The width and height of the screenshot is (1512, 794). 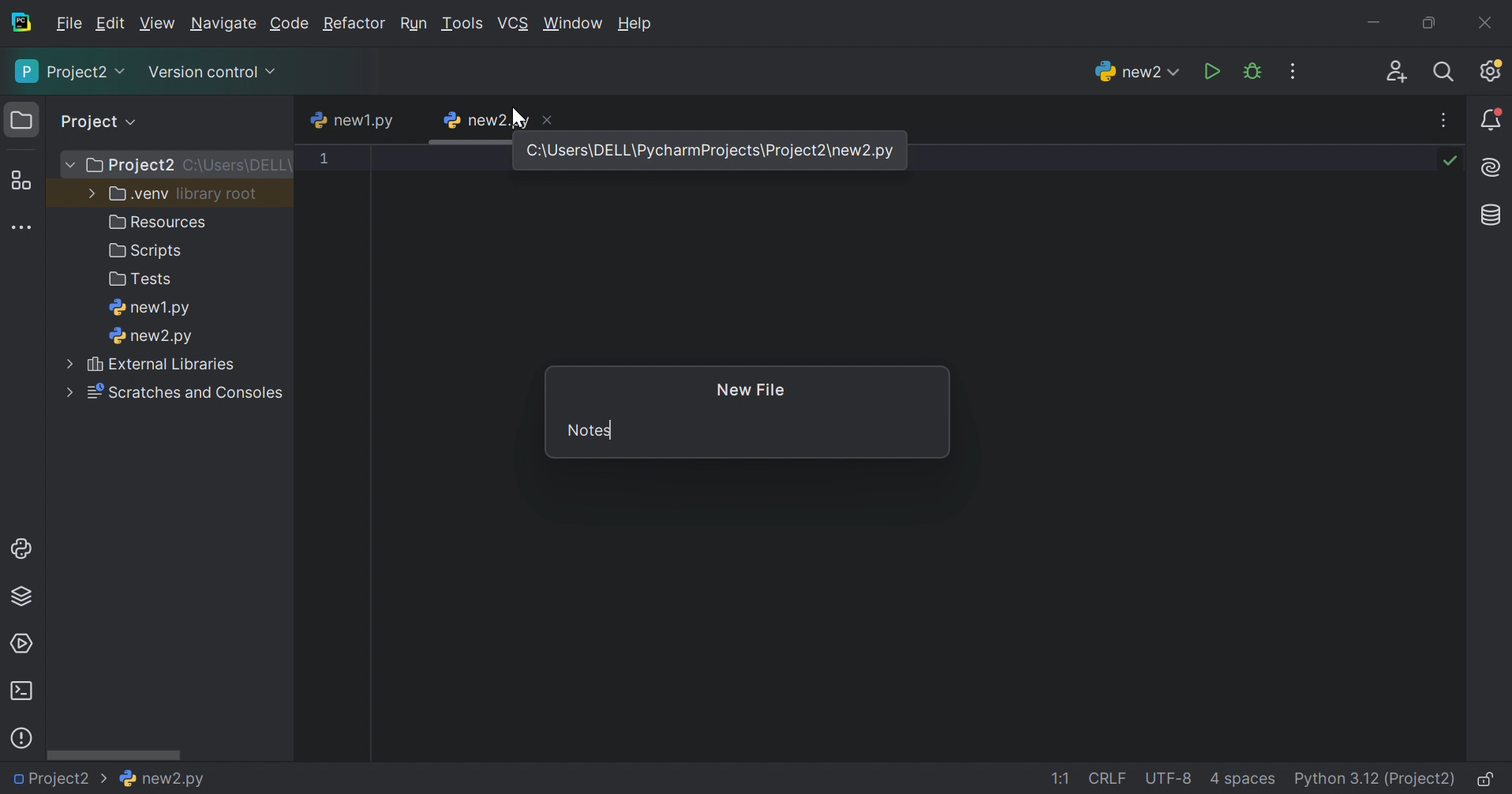 What do you see at coordinates (1169, 778) in the screenshot?
I see `UTF-8` at bounding box center [1169, 778].